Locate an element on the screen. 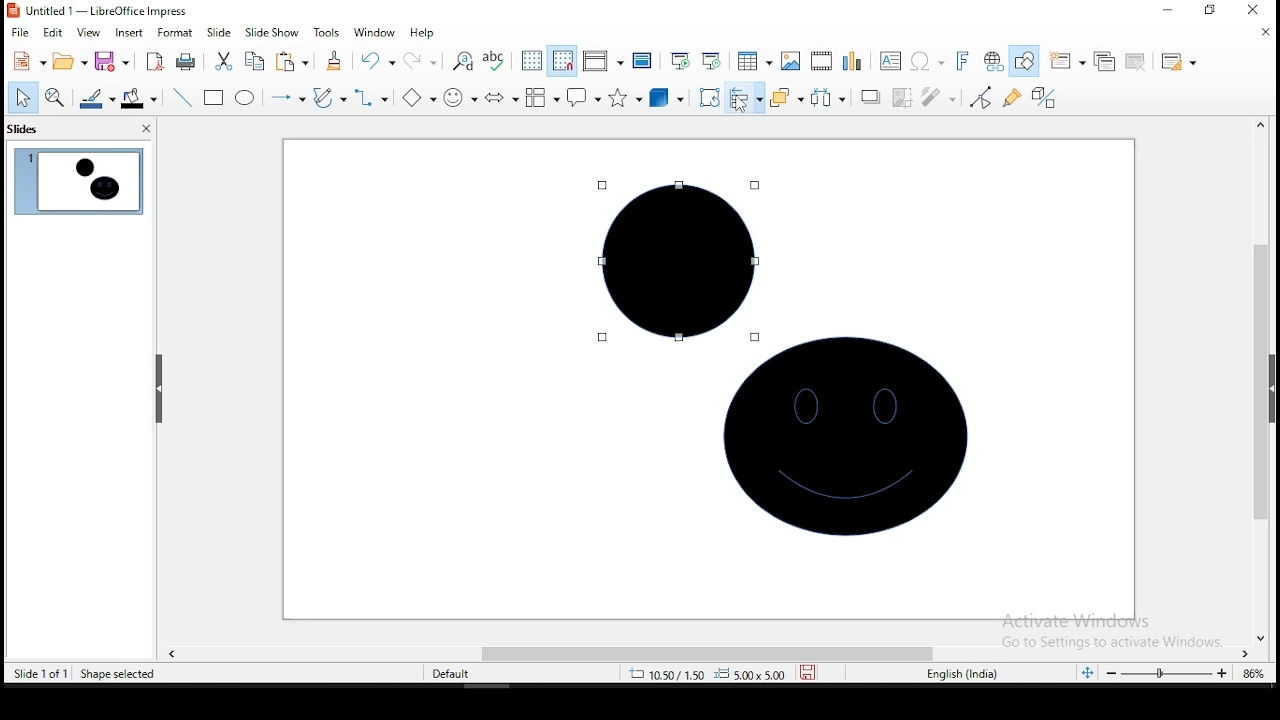 The width and height of the screenshot is (1280, 720). edit is located at coordinates (55, 33).